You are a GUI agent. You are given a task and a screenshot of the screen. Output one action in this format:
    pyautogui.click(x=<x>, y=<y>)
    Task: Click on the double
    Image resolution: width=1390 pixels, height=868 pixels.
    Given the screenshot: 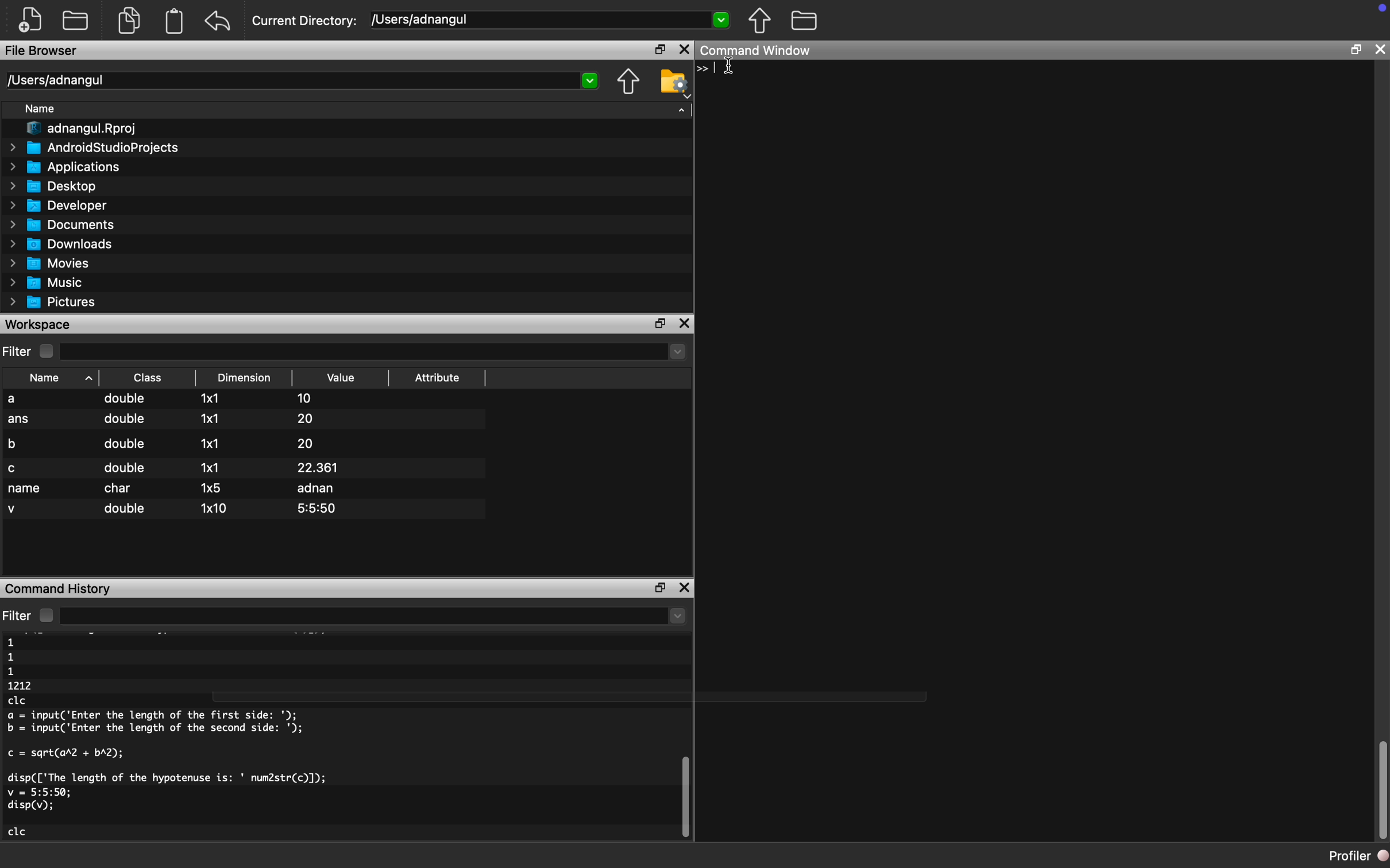 What is the action you would take?
    pyautogui.click(x=126, y=467)
    